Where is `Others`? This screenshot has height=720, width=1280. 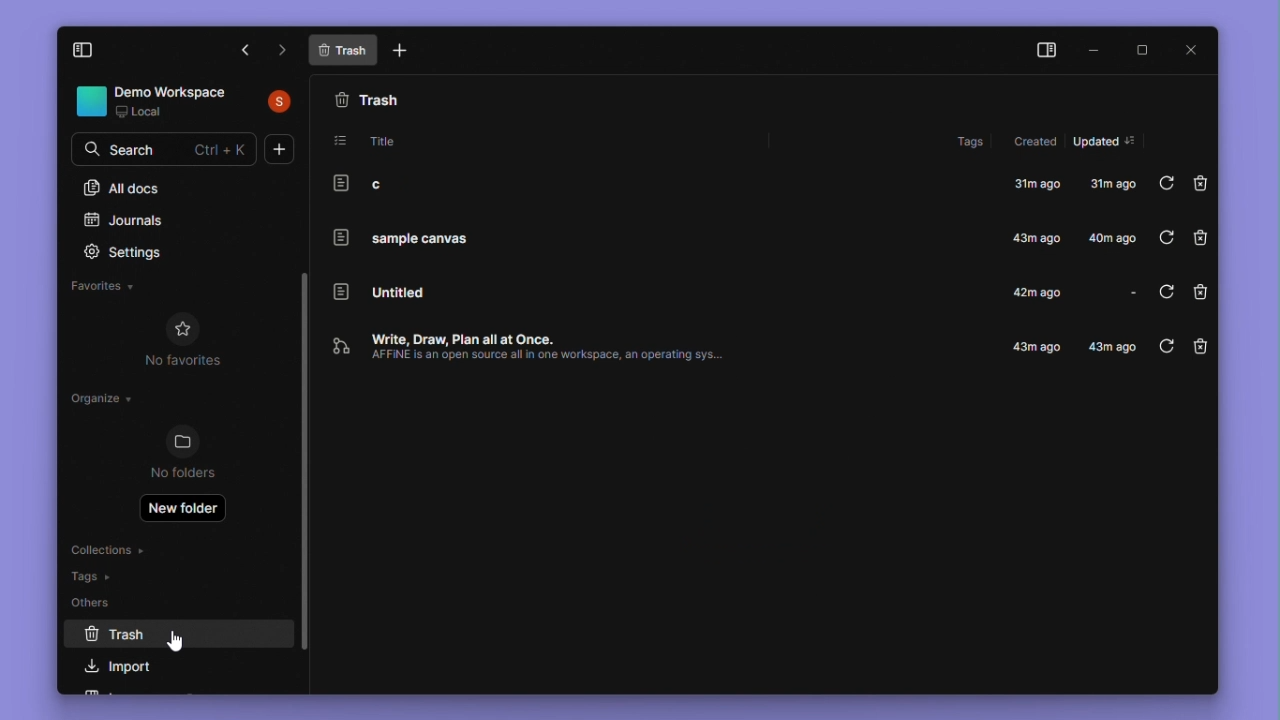 Others is located at coordinates (98, 603).